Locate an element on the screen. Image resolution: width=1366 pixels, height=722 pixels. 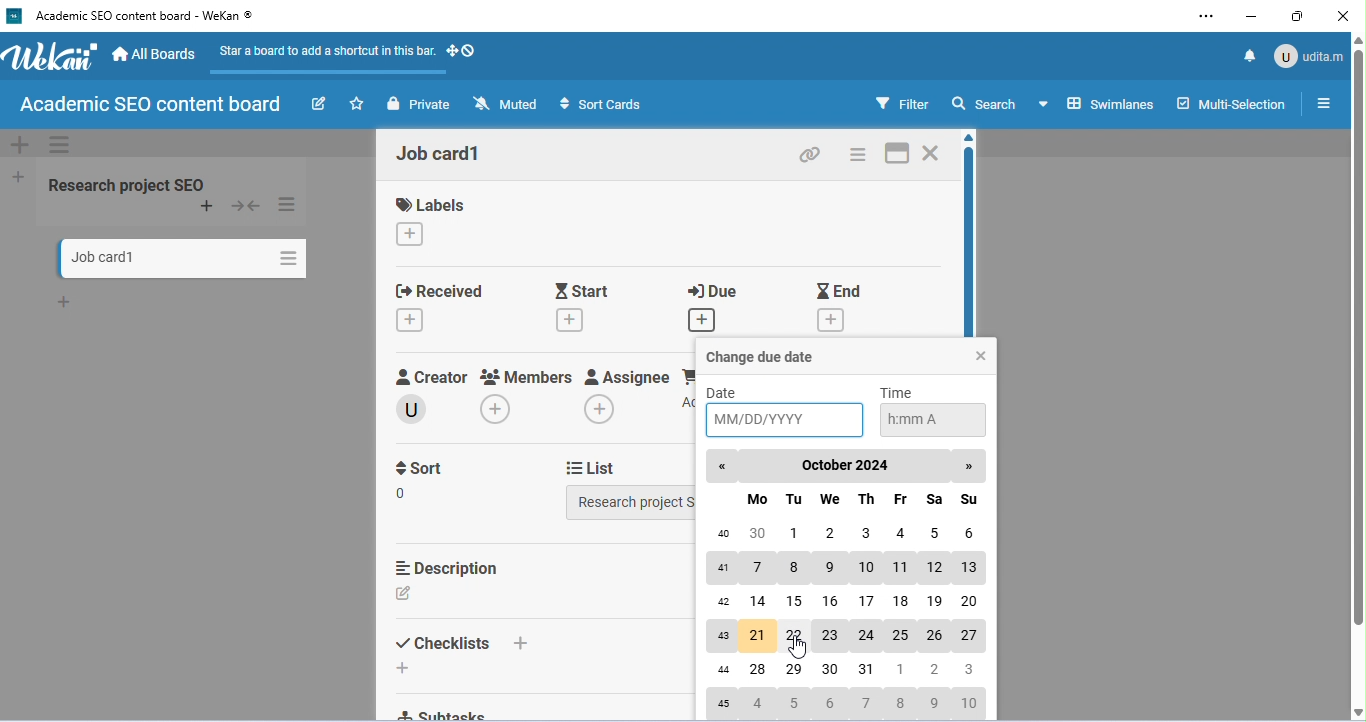
add starting date is located at coordinates (571, 318).